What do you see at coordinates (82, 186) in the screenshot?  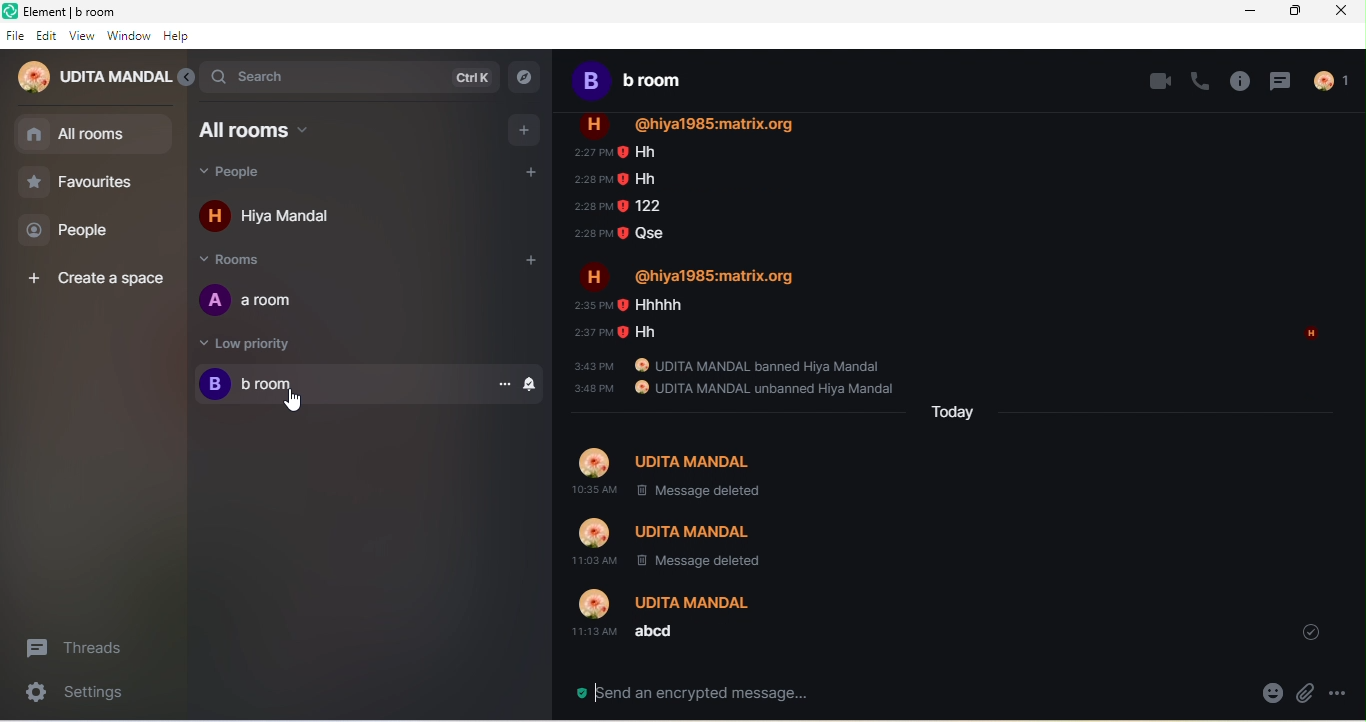 I see `favourites` at bounding box center [82, 186].